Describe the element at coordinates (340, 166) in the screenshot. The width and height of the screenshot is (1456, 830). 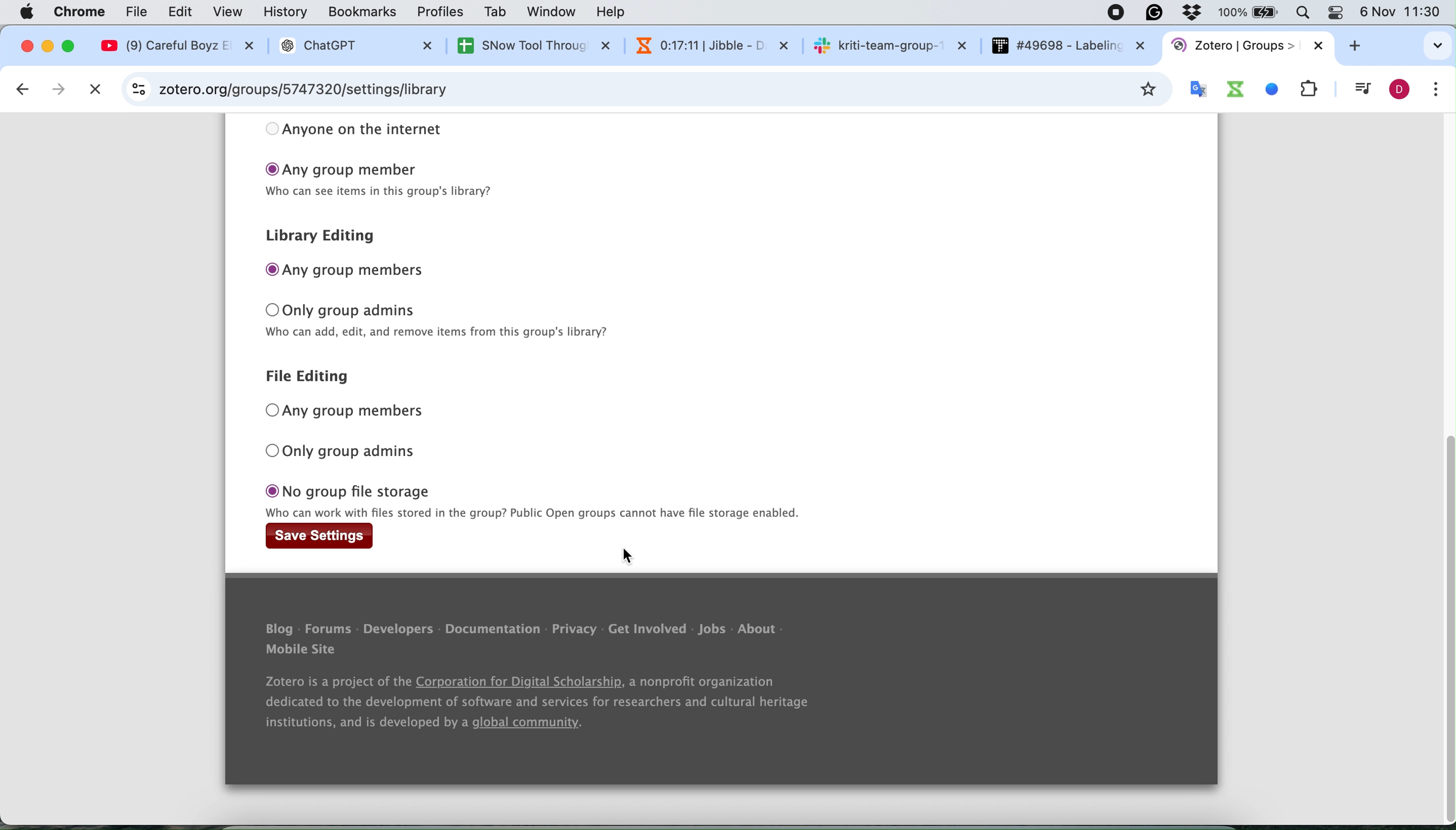
I see `any group member` at that location.